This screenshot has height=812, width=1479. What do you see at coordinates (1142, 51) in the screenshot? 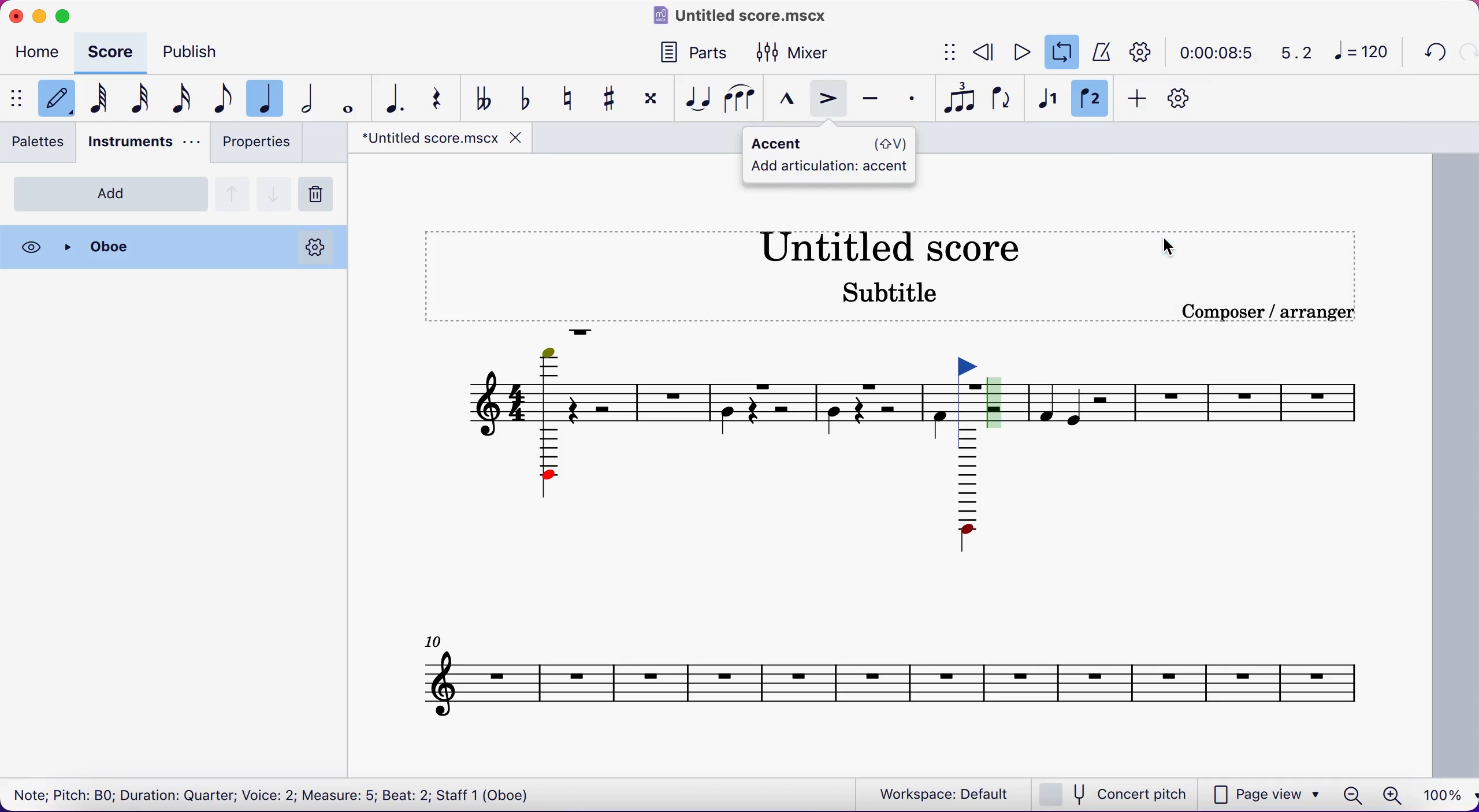
I see `playback setup` at bounding box center [1142, 51].